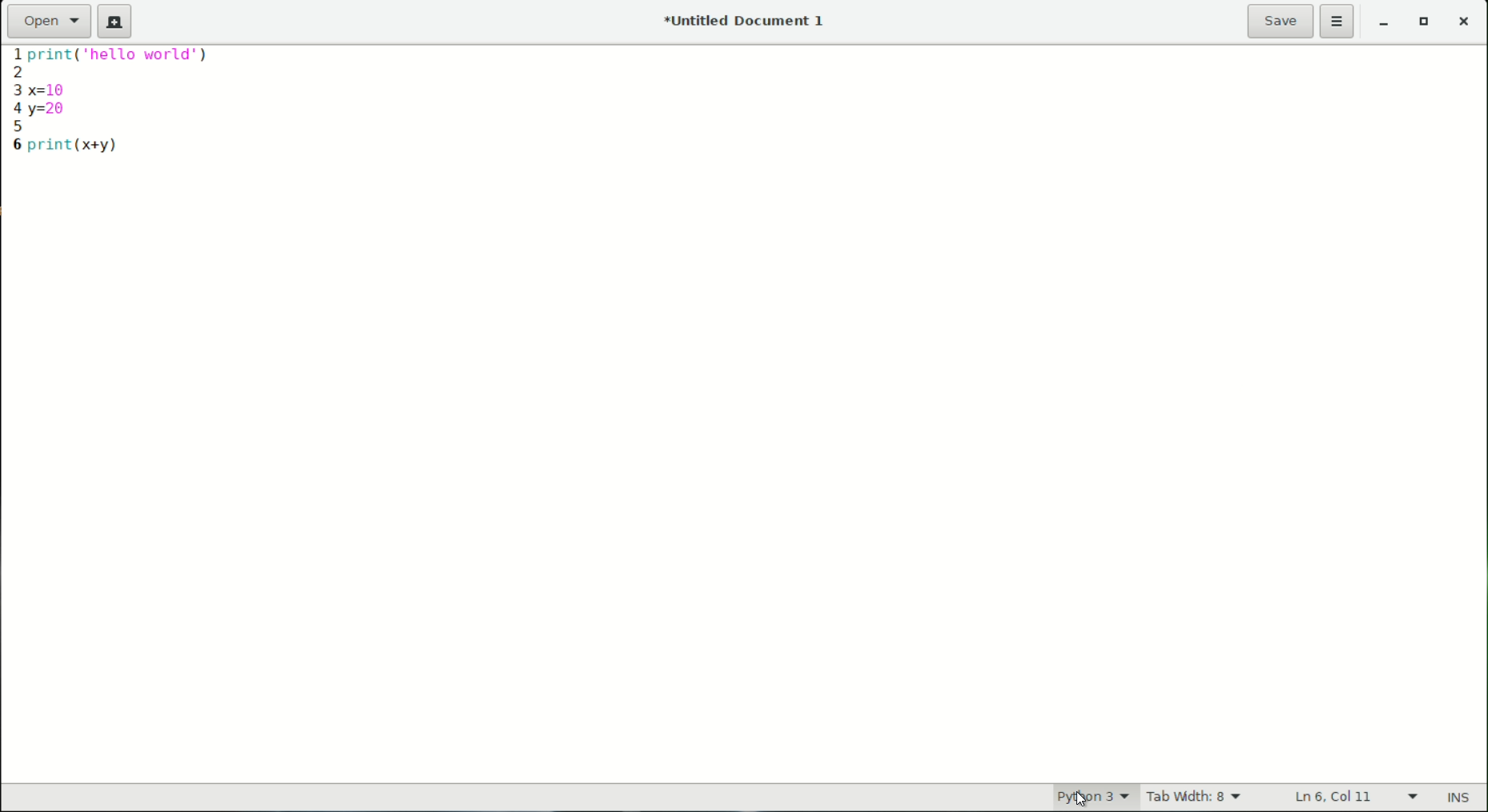 The image size is (1488, 812). I want to click on cursor, so click(1079, 796).